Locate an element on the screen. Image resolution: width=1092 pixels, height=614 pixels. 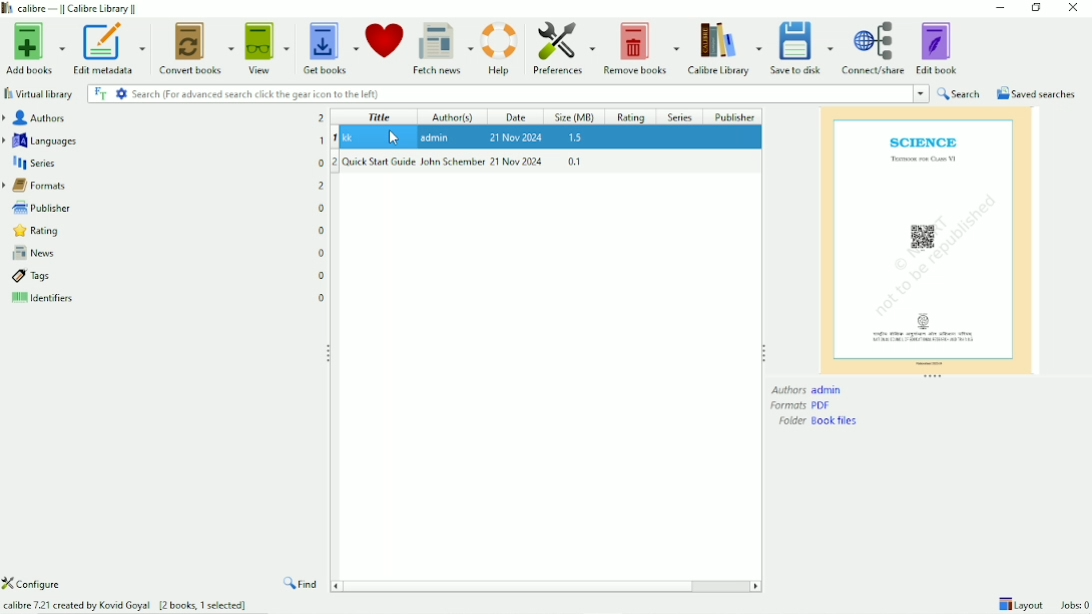
Cursor is located at coordinates (397, 138).